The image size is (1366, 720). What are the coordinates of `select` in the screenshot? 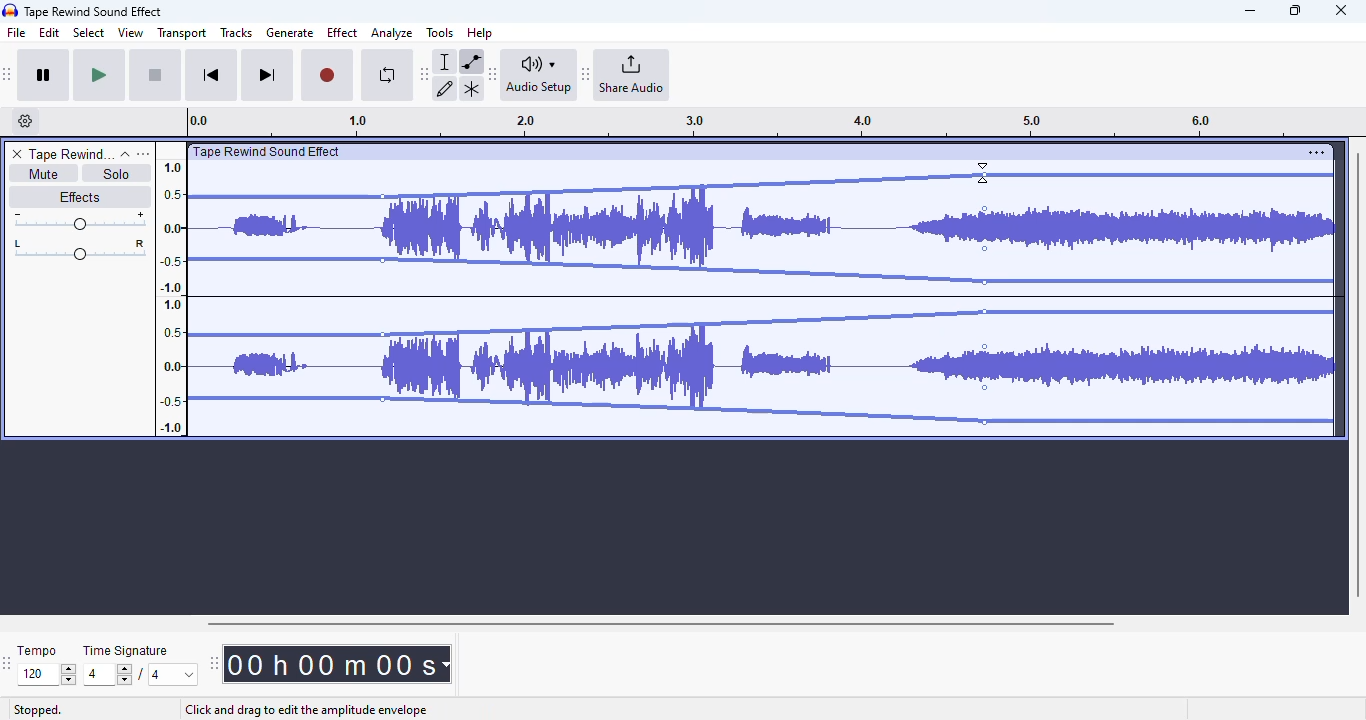 It's located at (89, 32).